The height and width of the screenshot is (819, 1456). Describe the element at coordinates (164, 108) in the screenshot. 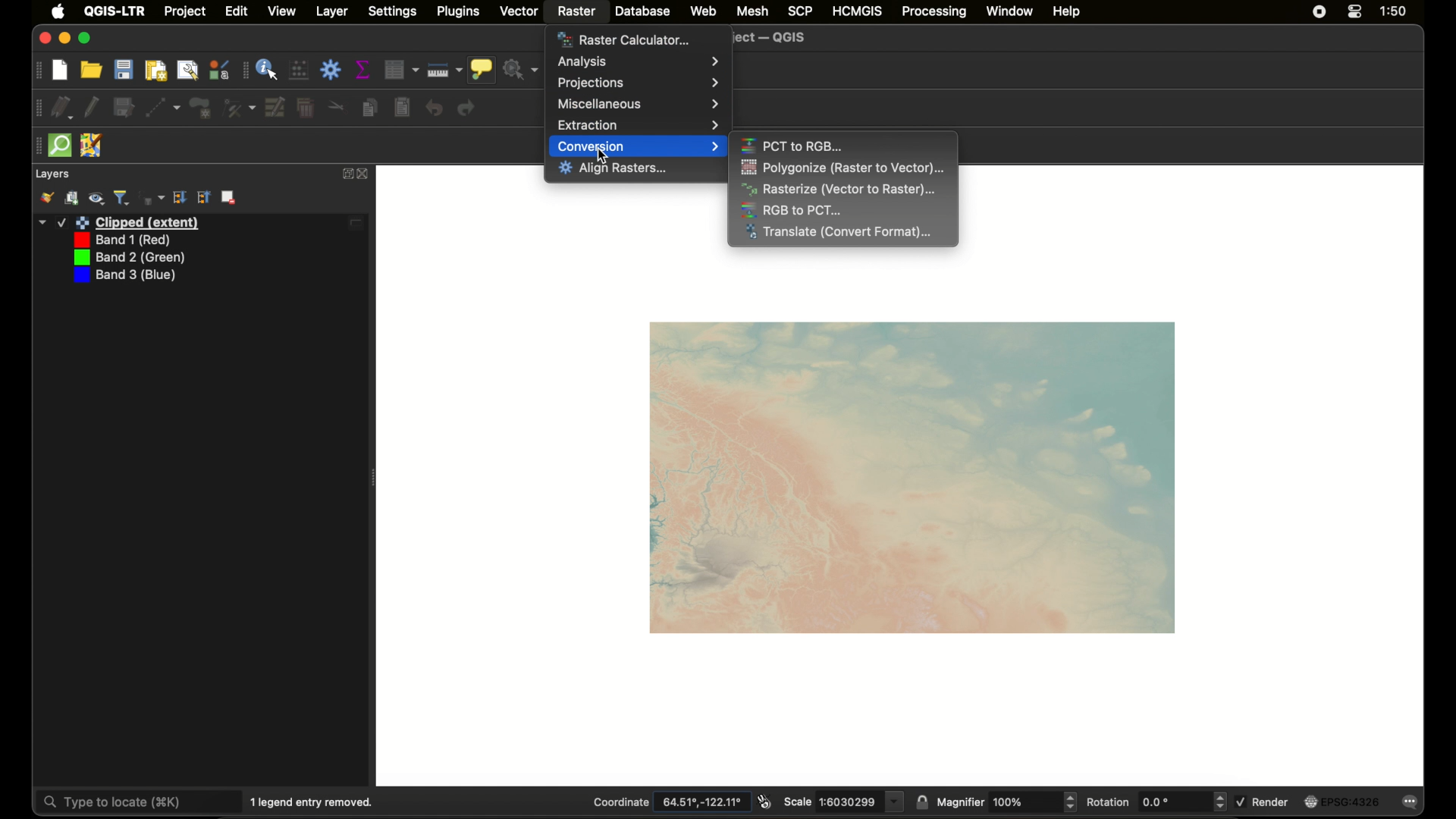

I see `digitize with segment` at that location.